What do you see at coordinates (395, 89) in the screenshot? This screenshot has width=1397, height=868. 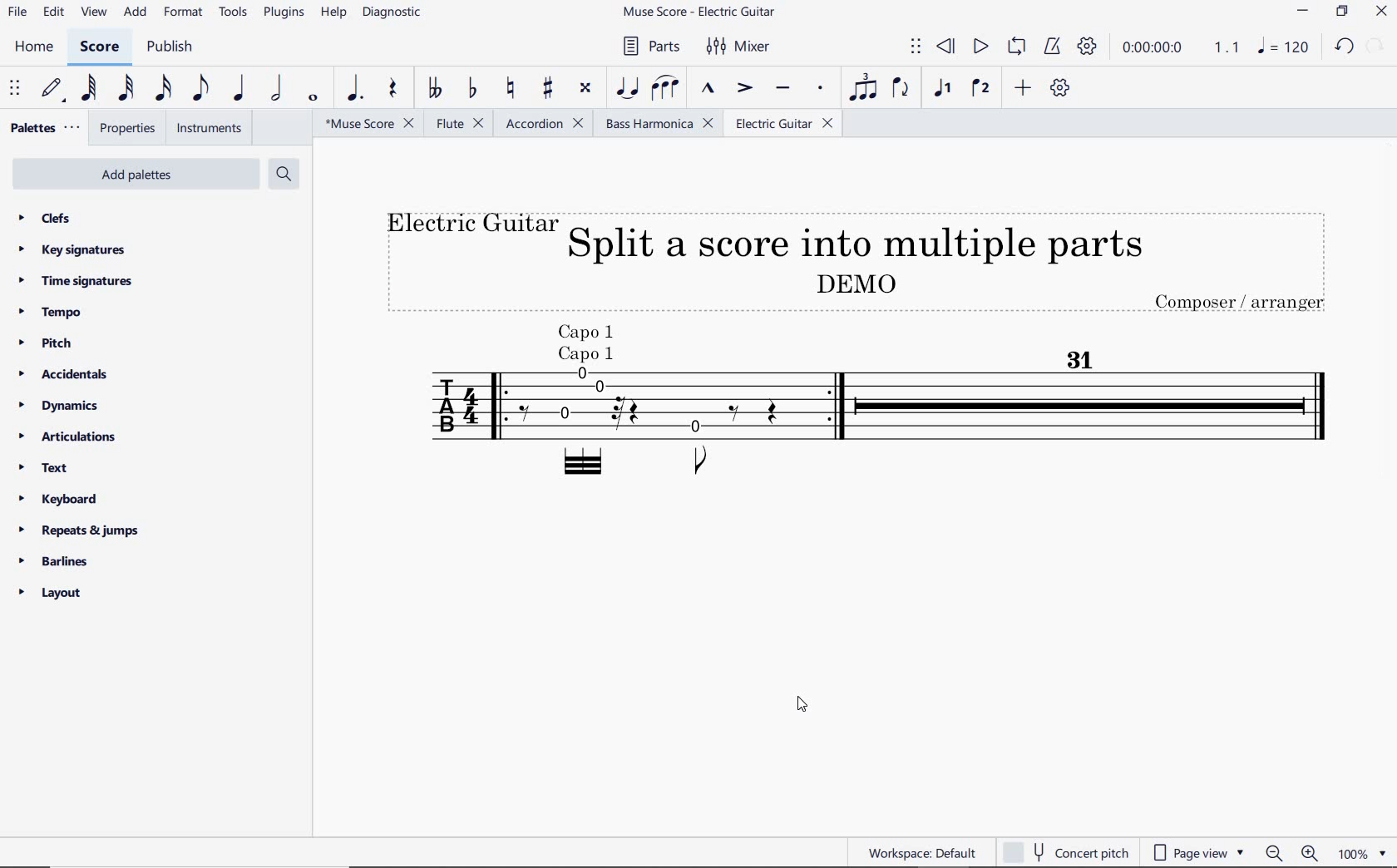 I see `rest` at bounding box center [395, 89].